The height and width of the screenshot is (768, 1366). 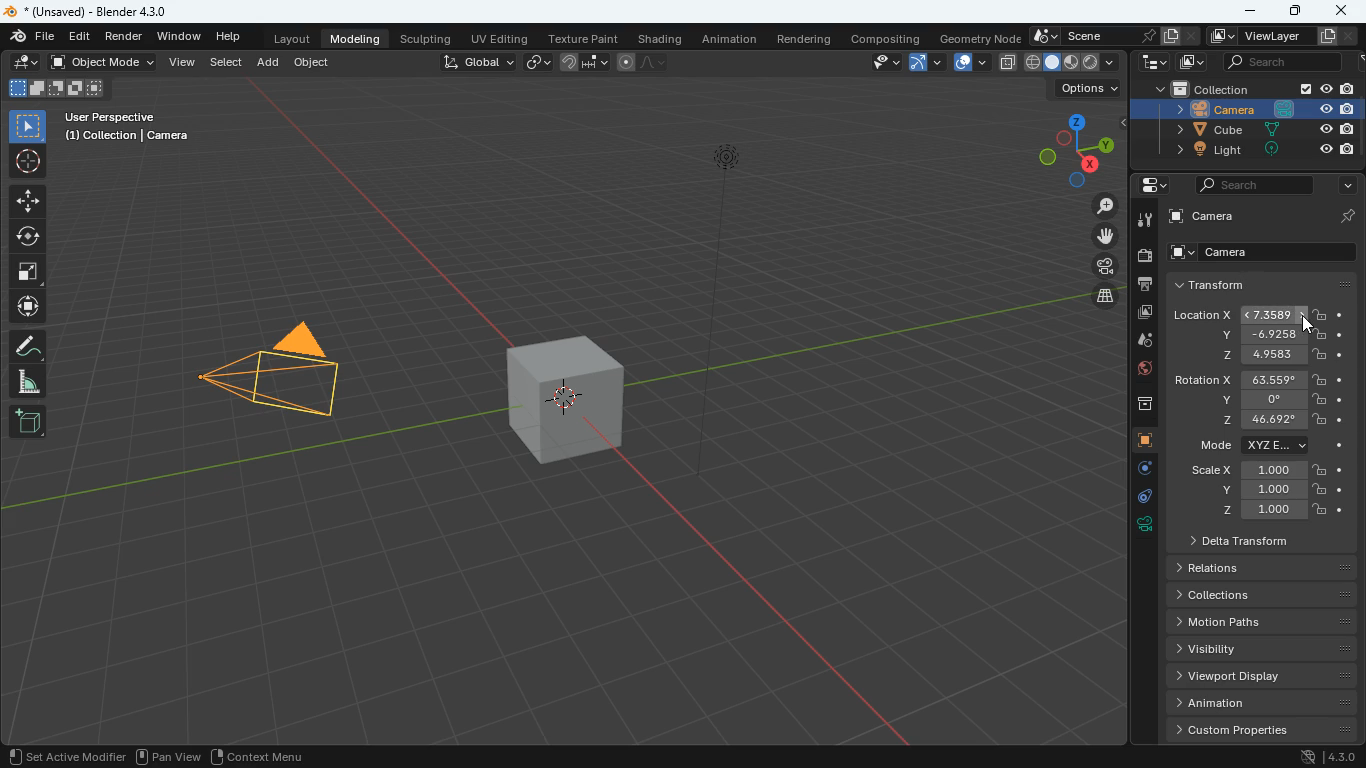 What do you see at coordinates (1136, 498) in the screenshot?
I see `edge` at bounding box center [1136, 498].